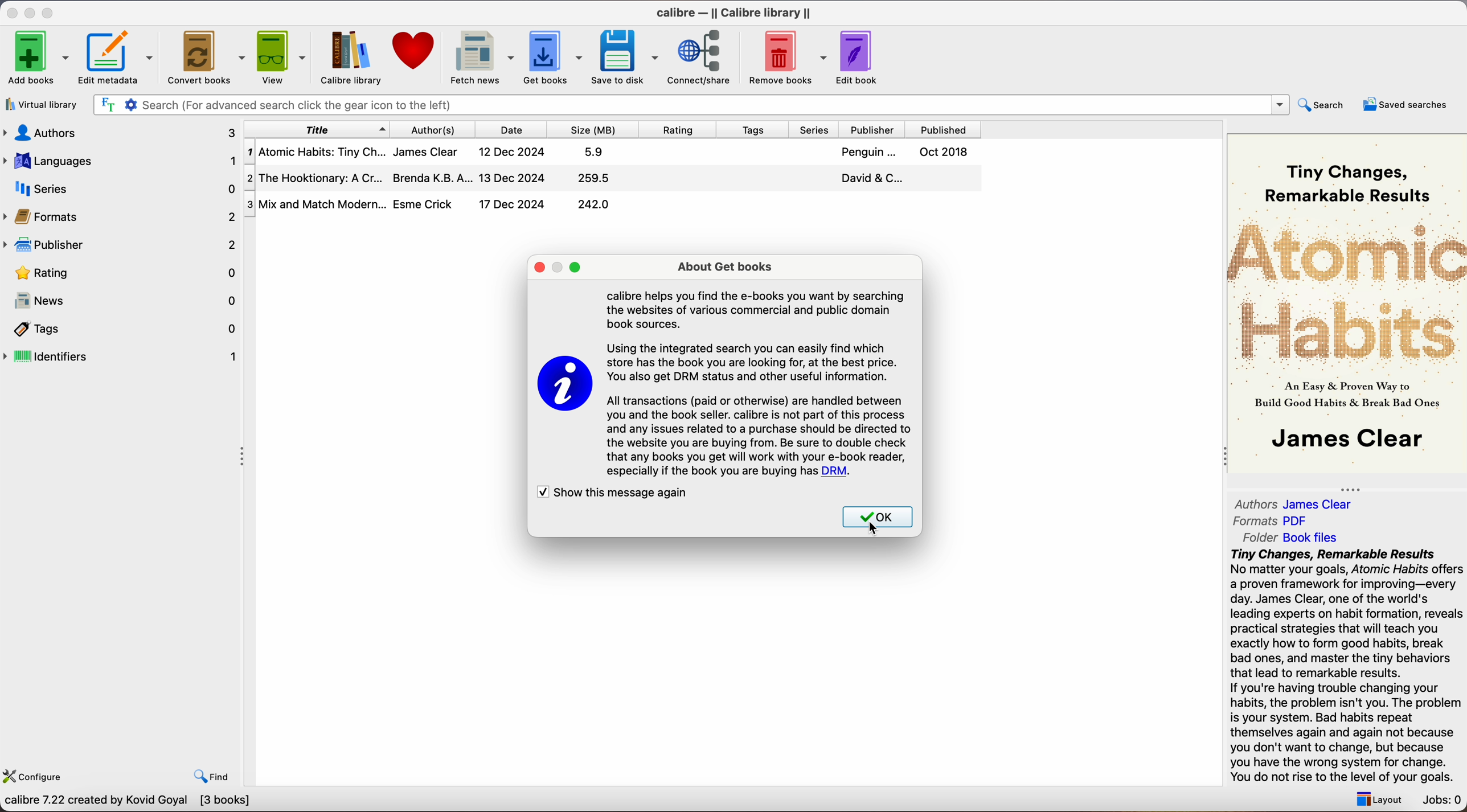 The width and height of the screenshot is (1467, 812). Describe the element at coordinates (1294, 505) in the screenshot. I see `Authors James Clear` at that location.